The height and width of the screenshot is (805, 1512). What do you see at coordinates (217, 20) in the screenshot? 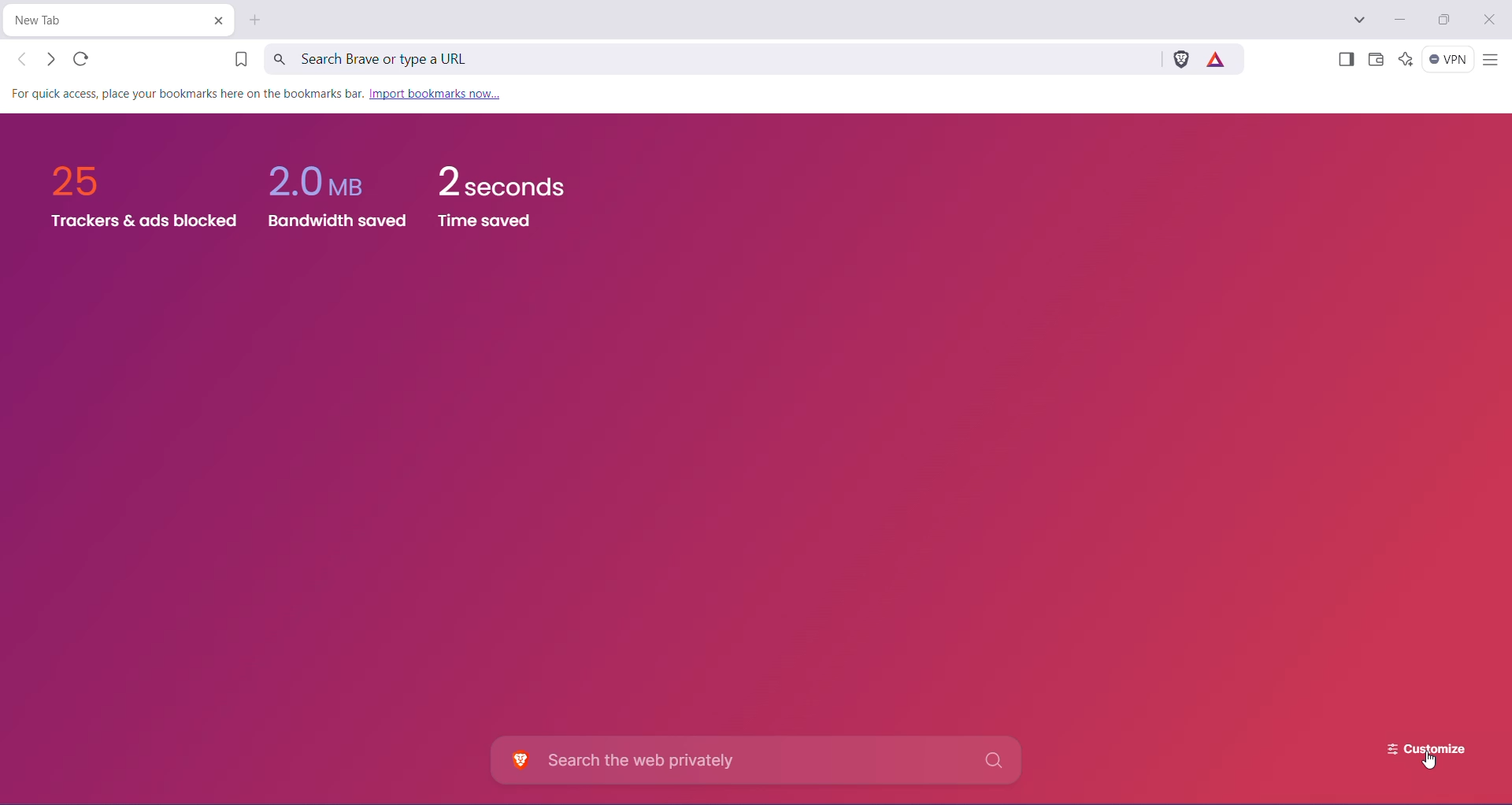
I see `Close Tab` at bounding box center [217, 20].